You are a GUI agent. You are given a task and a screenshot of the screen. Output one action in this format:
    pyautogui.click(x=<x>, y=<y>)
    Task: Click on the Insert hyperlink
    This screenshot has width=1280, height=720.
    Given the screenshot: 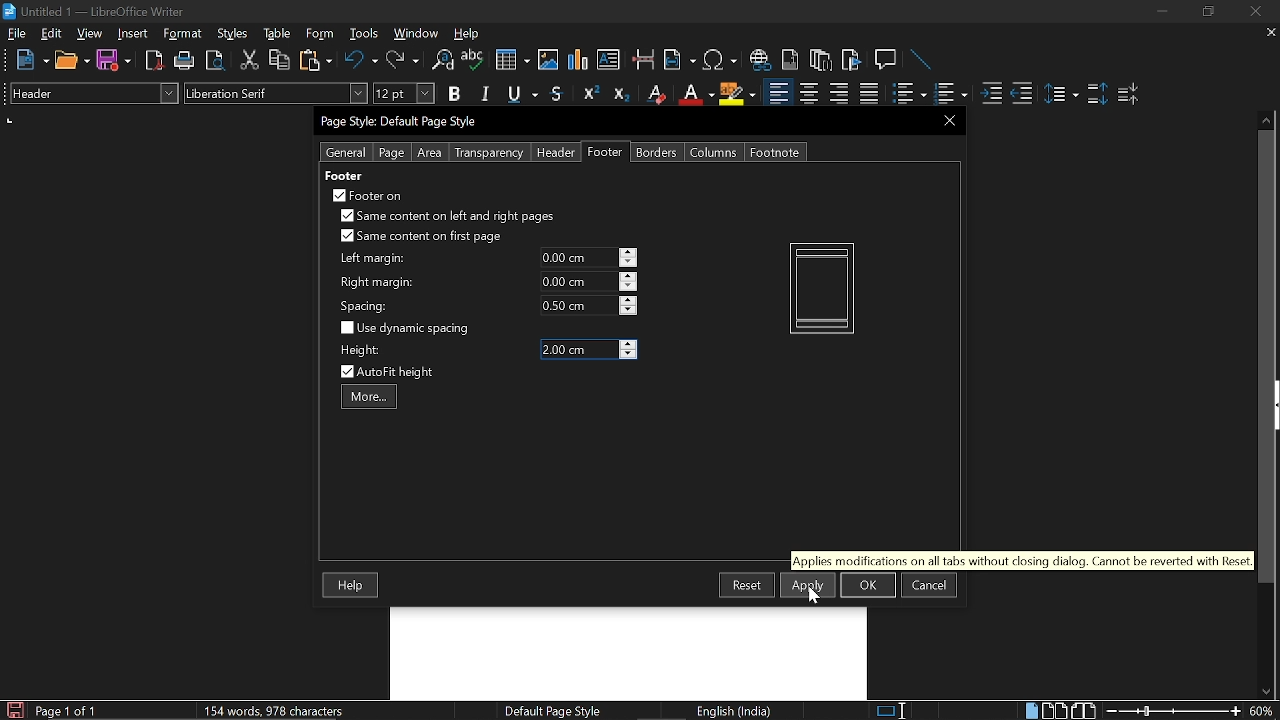 What is the action you would take?
    pyautogui.click(x=761, y=60)
    